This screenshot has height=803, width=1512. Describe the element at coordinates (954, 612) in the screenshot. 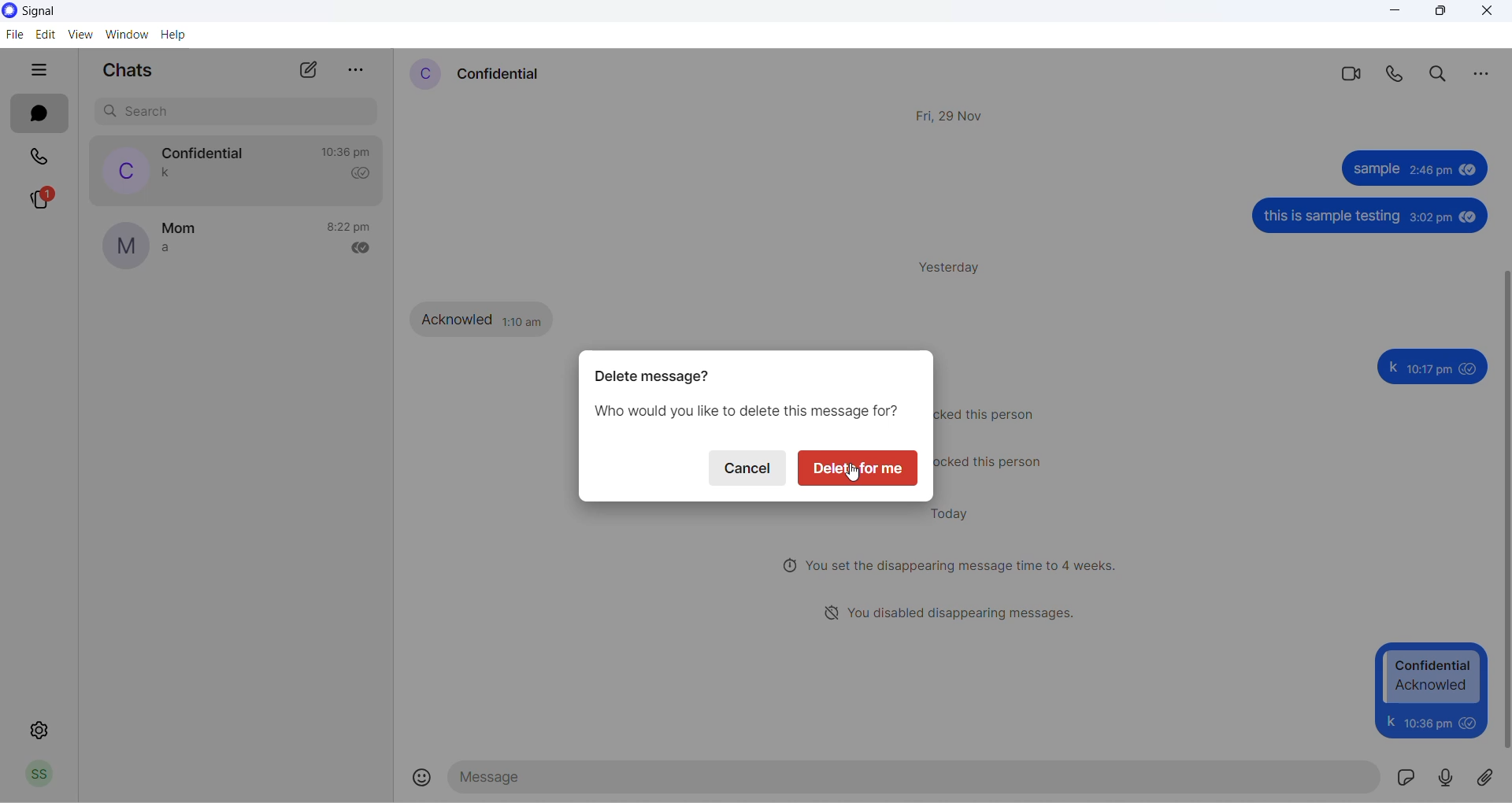

I see `disappearing message notification` at that location.